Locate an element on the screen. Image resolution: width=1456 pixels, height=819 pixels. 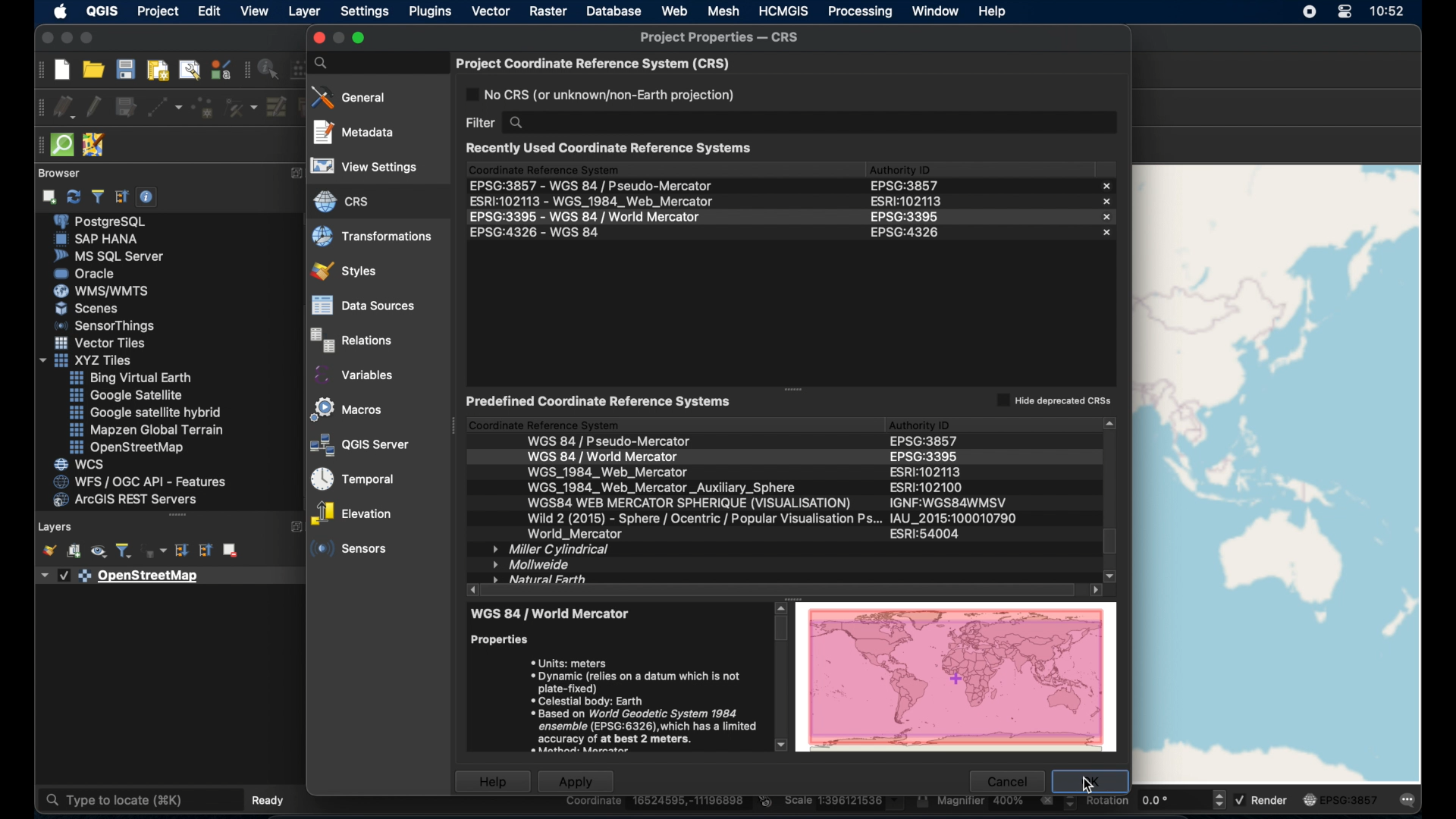
world mercator is located at coordinates (574, 535).